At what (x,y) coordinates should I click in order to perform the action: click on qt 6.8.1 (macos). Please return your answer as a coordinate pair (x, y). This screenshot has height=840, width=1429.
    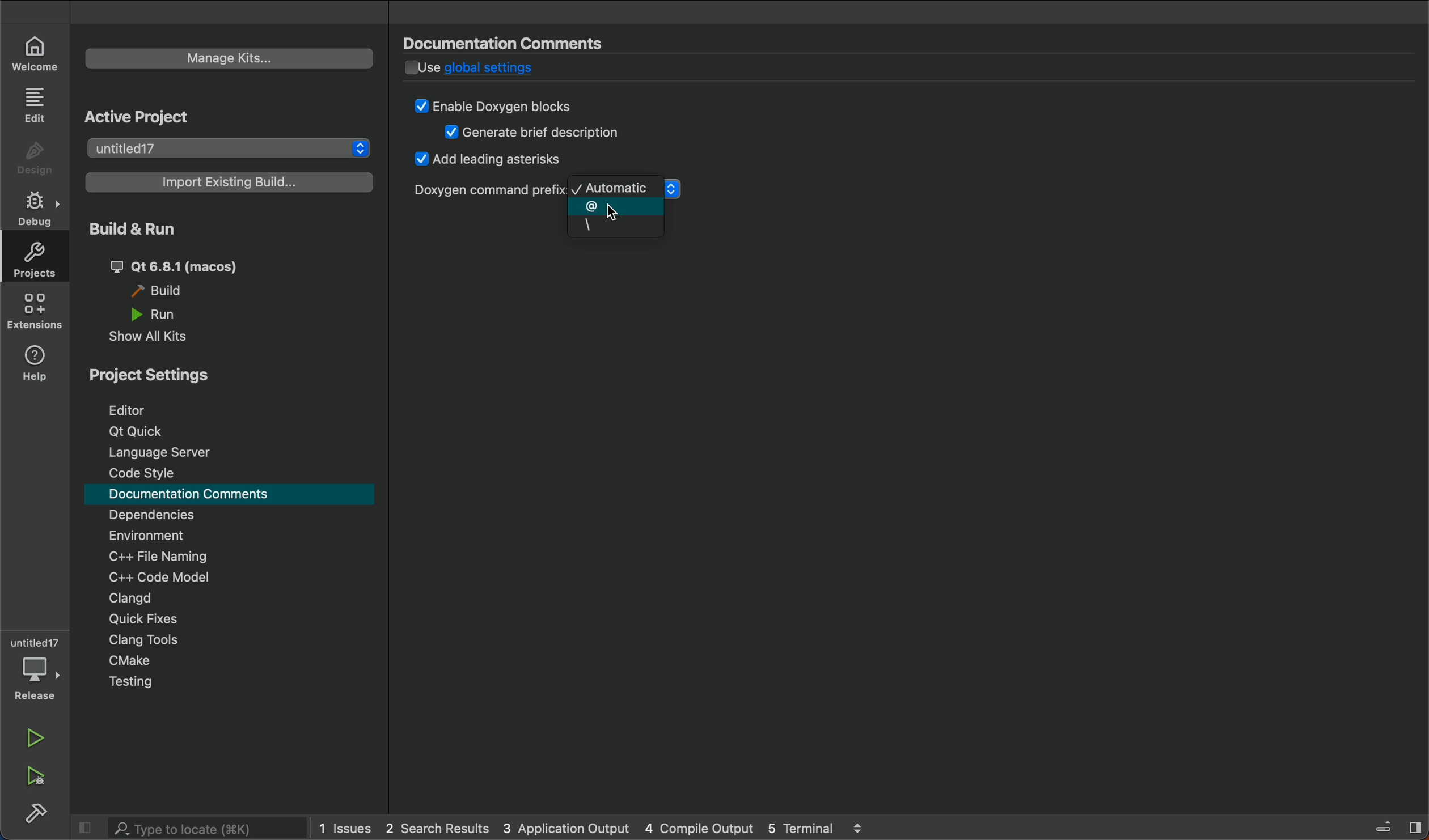
    Looking at the image, I should click on (184, 265).